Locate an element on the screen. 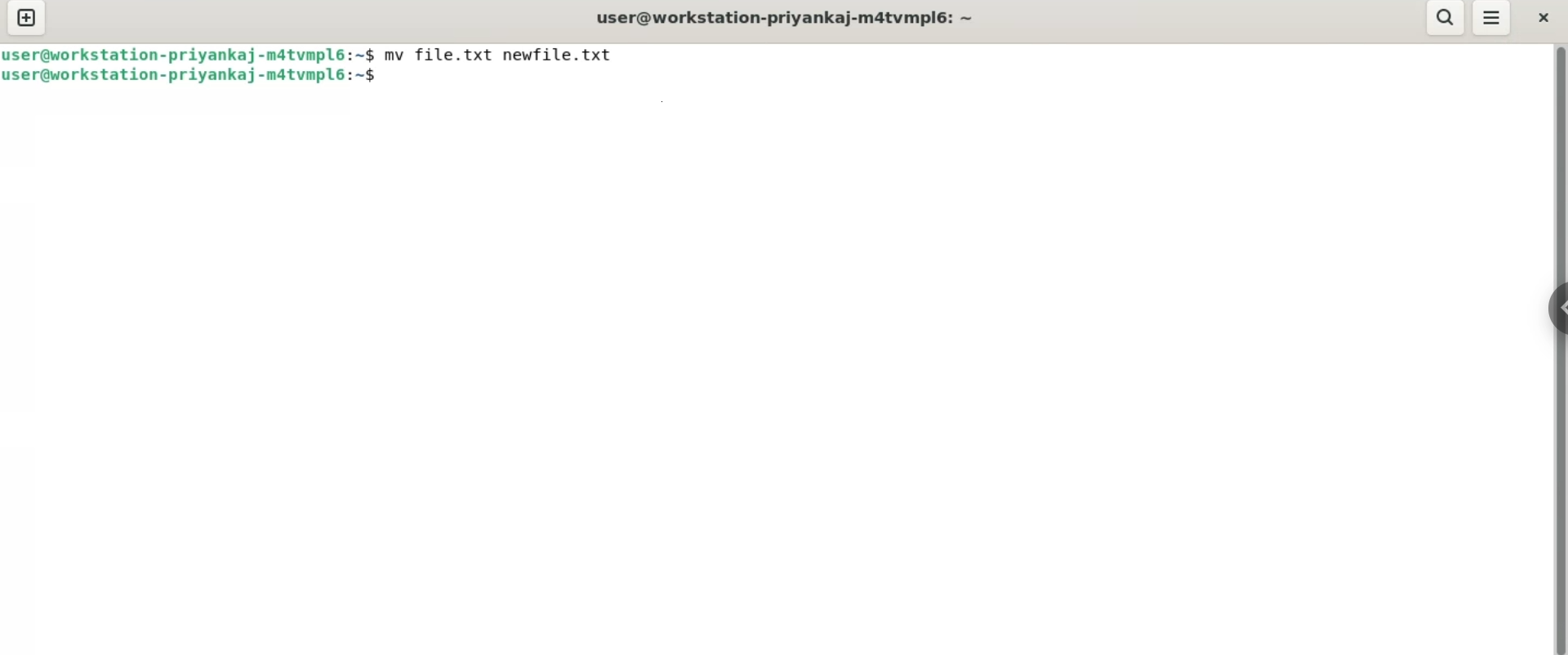 The width and height of the screenshot is (1568, 655). verical scroll bar is located at coordinates (1560, 348).